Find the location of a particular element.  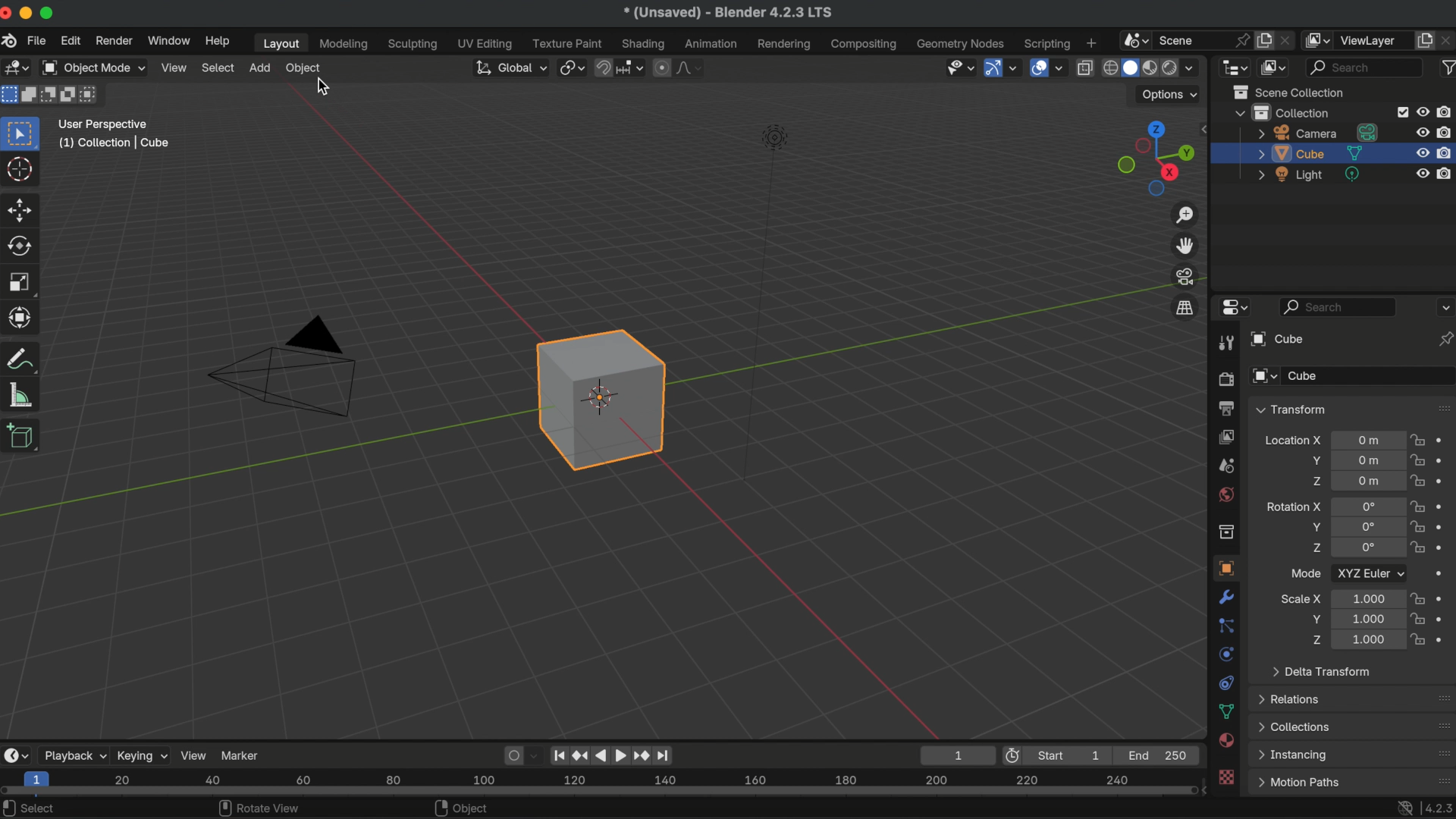

cube is located at coordinates (1275, 339).